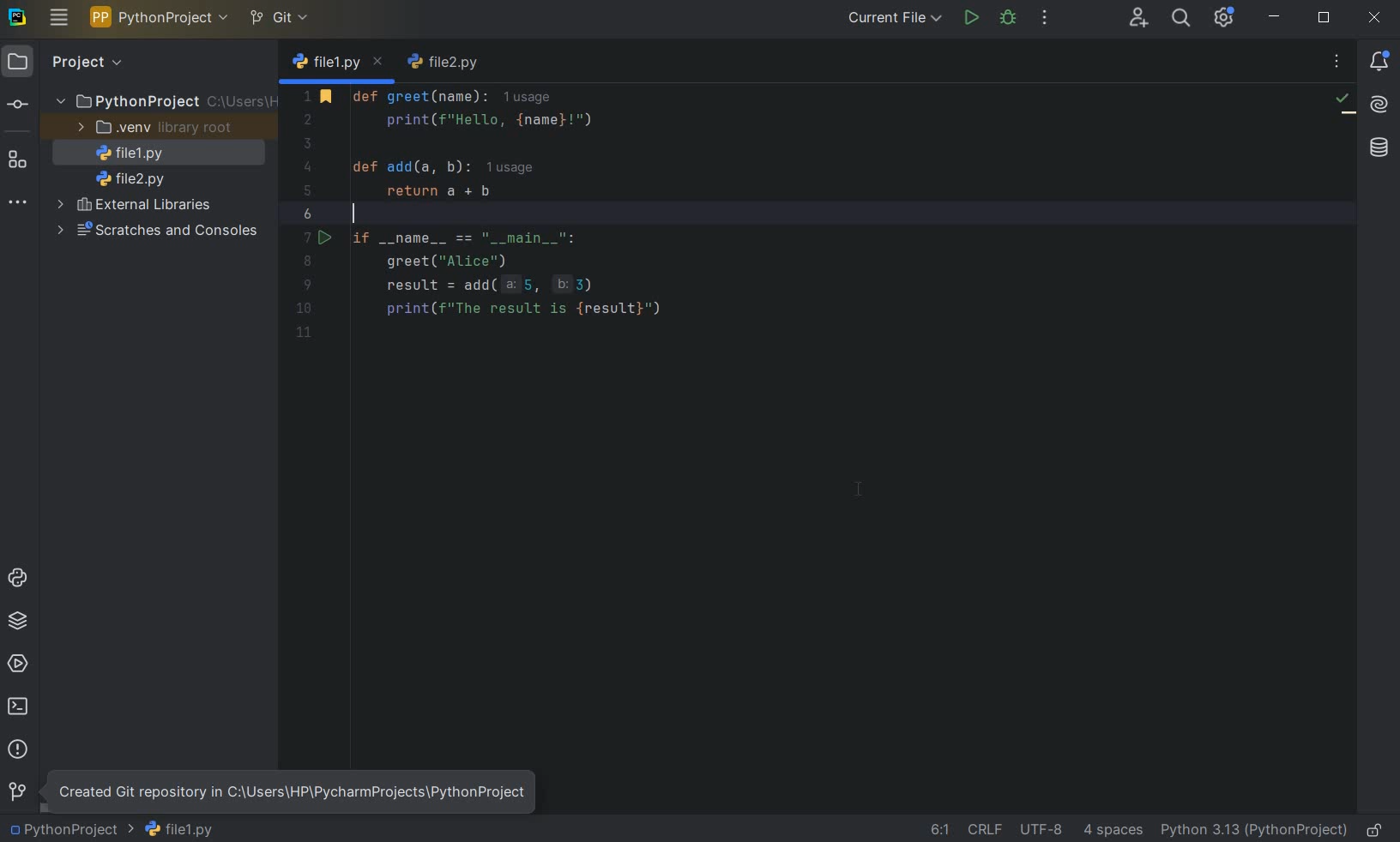  I want to click on more actions, so click(1043, 19).